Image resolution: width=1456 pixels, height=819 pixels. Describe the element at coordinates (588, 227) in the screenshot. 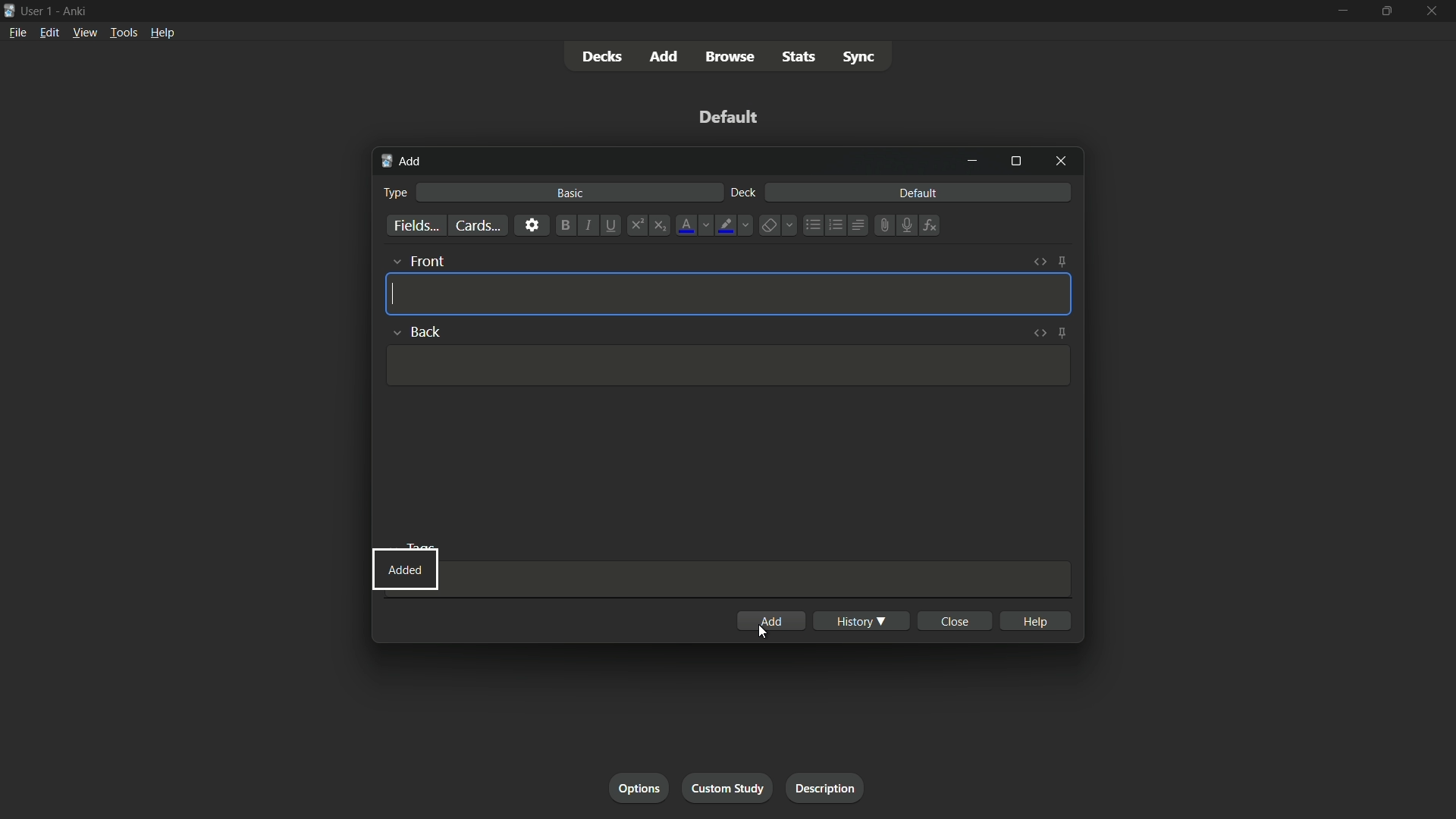

I see `italic` at that location.